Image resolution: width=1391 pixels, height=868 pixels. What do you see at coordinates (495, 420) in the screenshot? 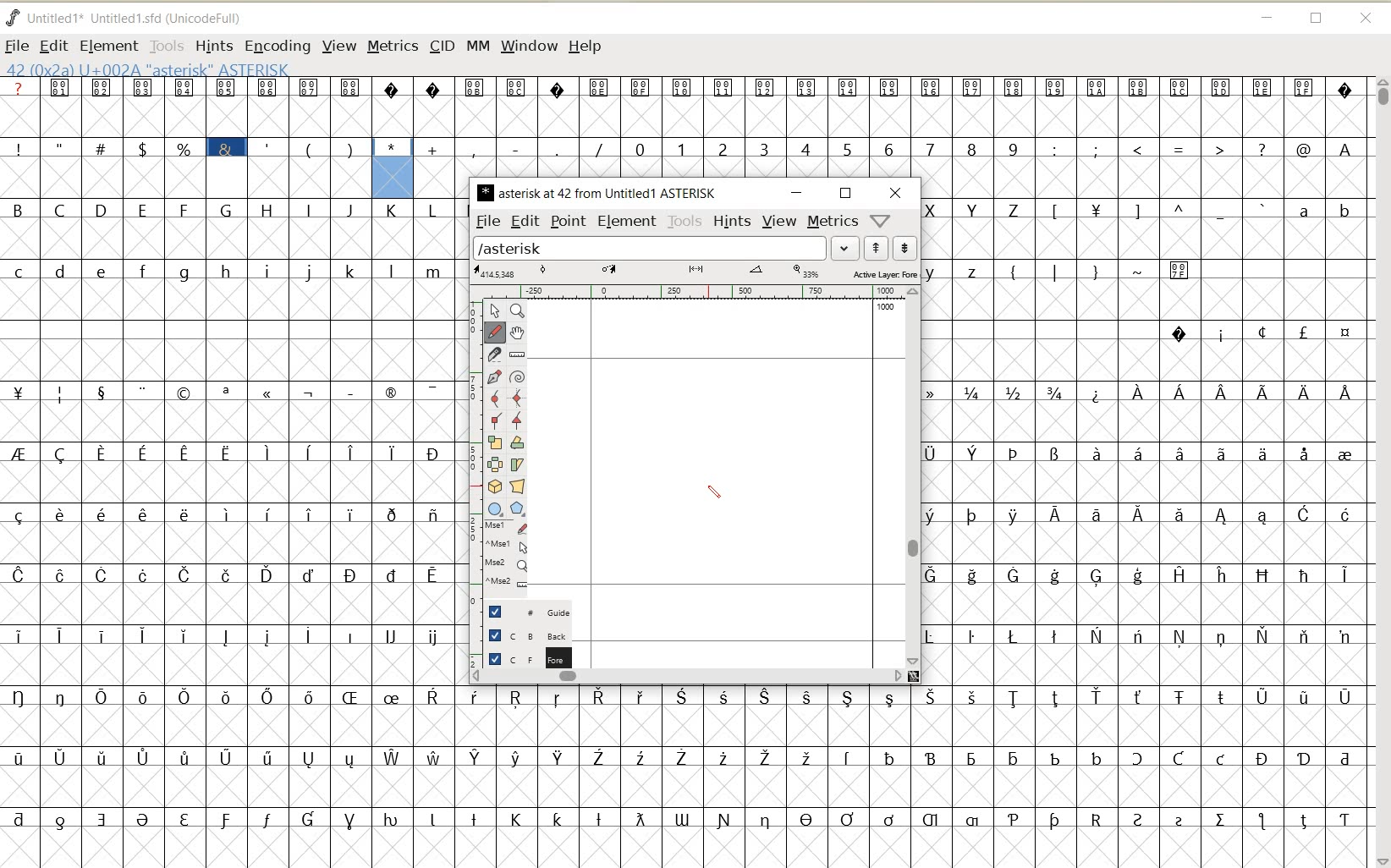
I see `add a corner point` at bounding box center [495, 420].